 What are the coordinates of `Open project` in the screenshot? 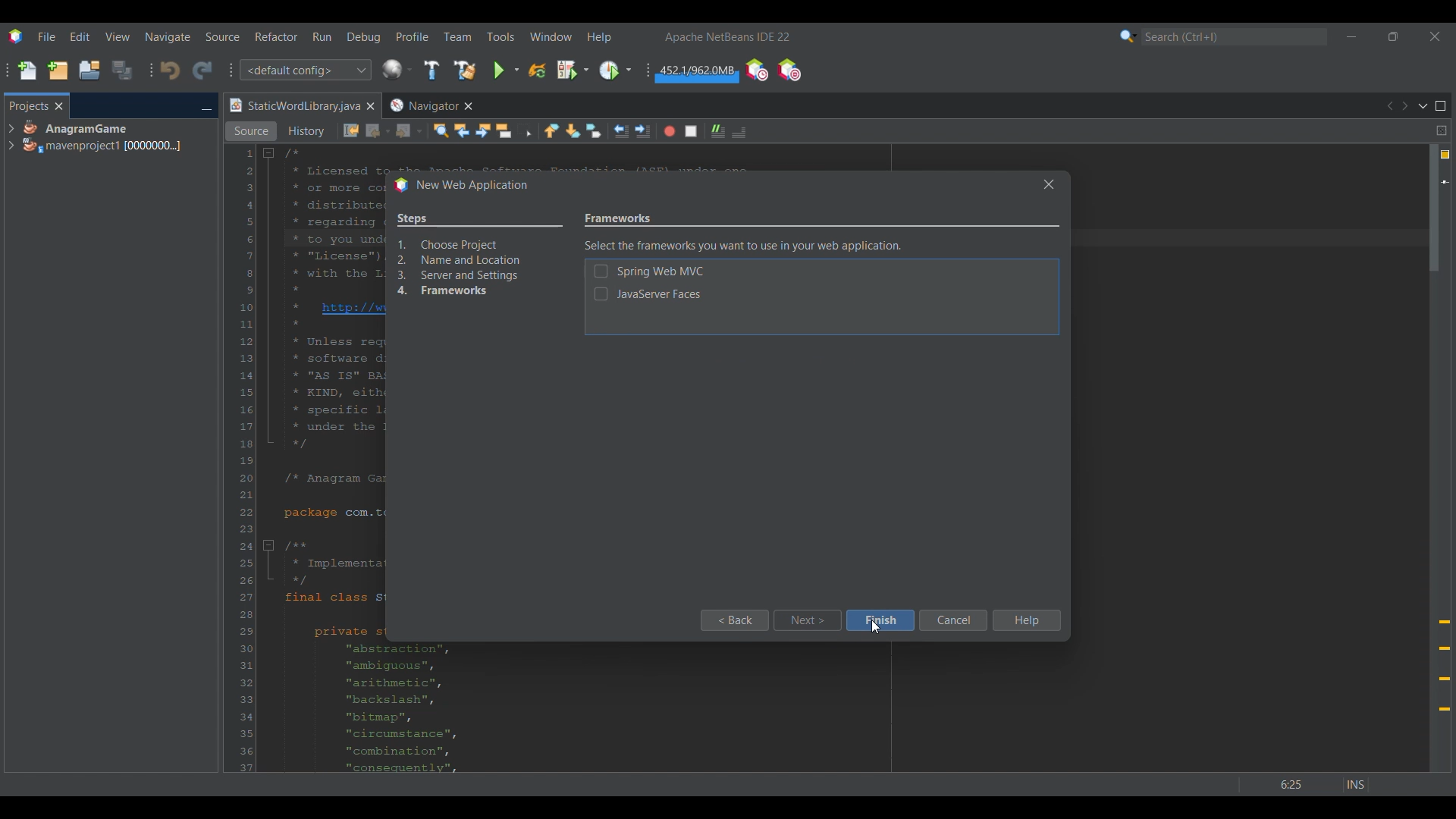 It's located at (89, 70).